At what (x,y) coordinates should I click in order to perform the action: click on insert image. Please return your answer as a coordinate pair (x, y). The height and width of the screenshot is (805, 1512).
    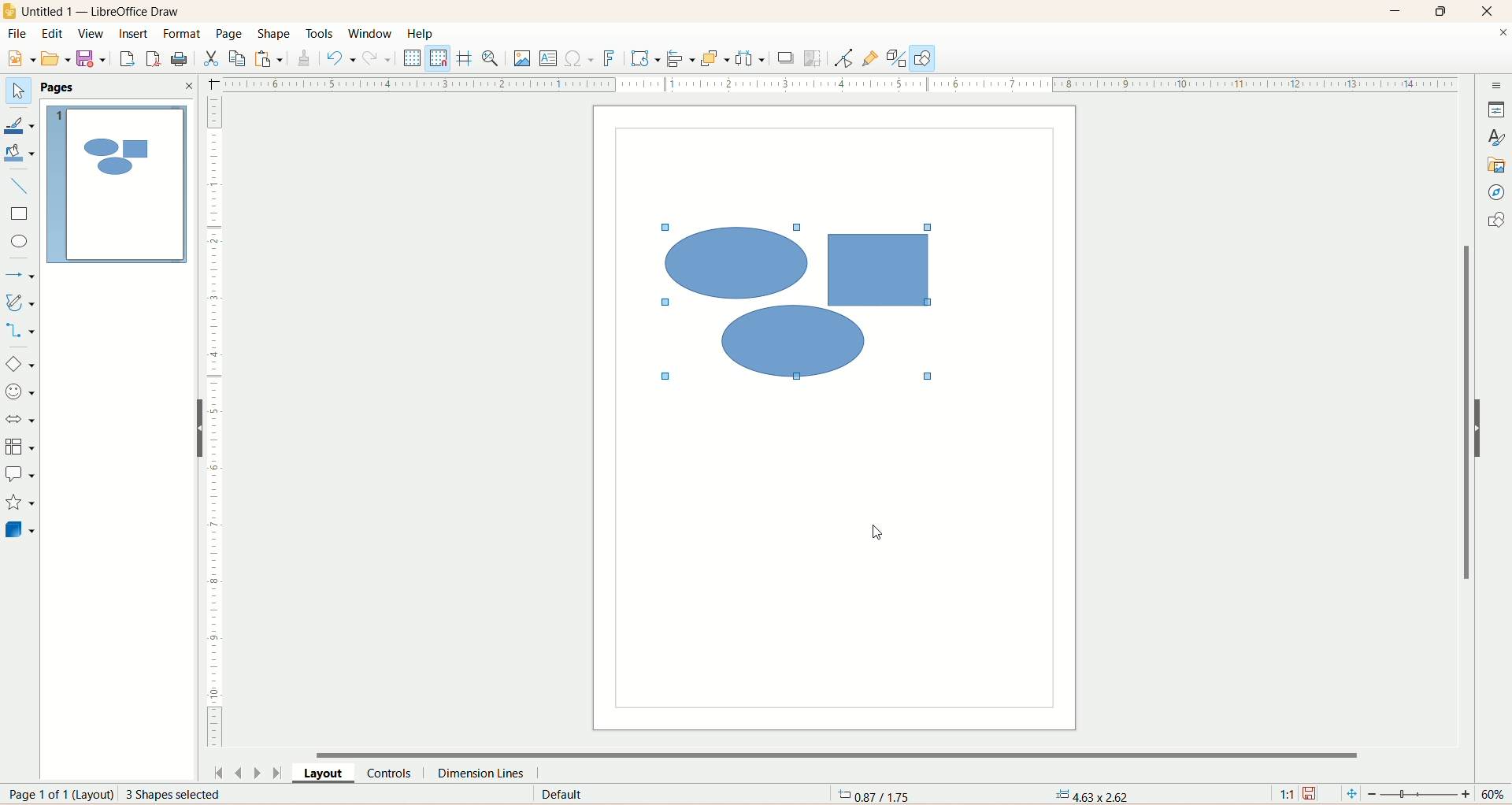
    Looking at the image, I should click on (524, 59).